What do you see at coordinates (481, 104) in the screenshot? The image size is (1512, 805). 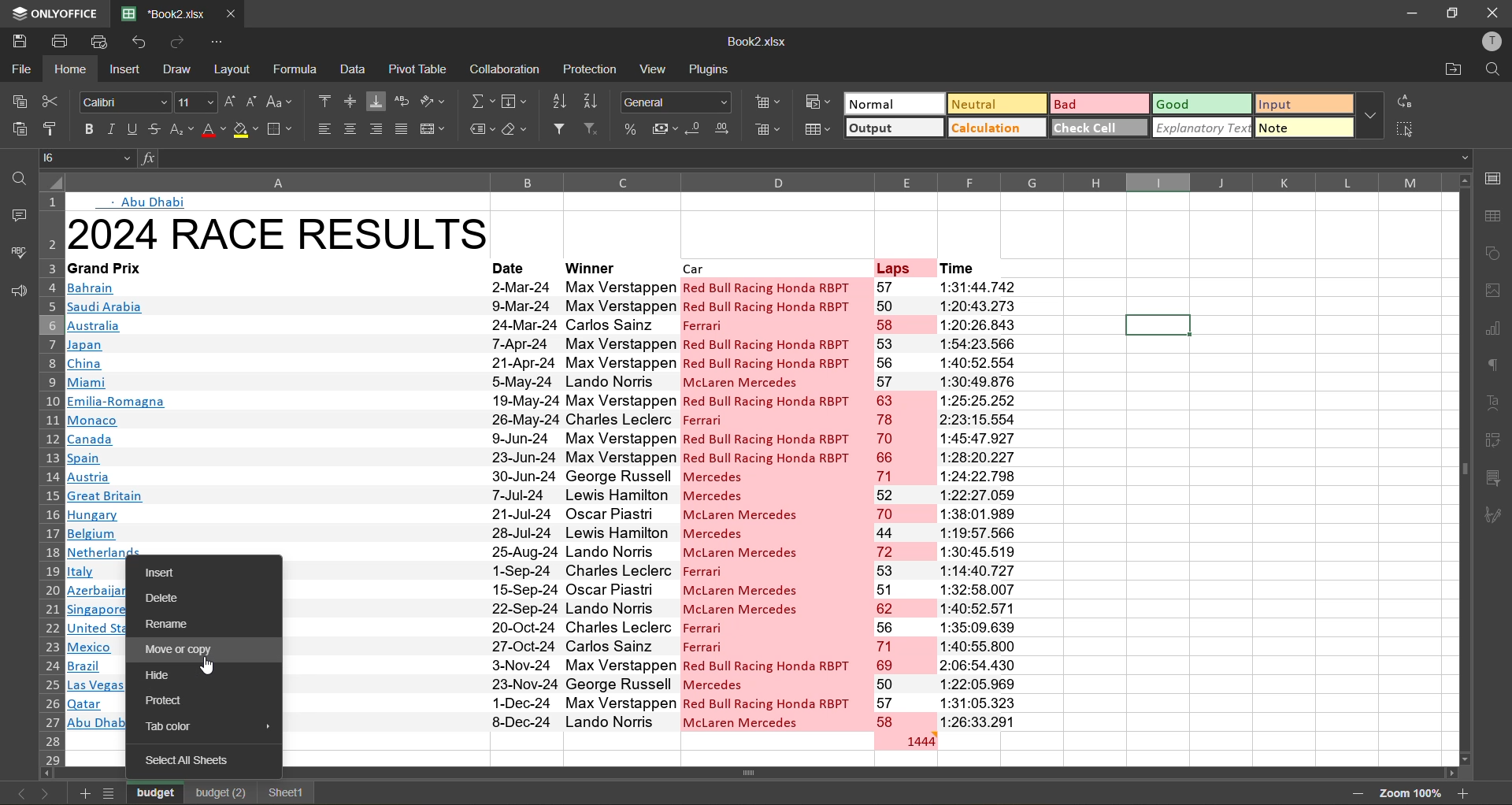 I see `summation` at bounding box center [481, 104].